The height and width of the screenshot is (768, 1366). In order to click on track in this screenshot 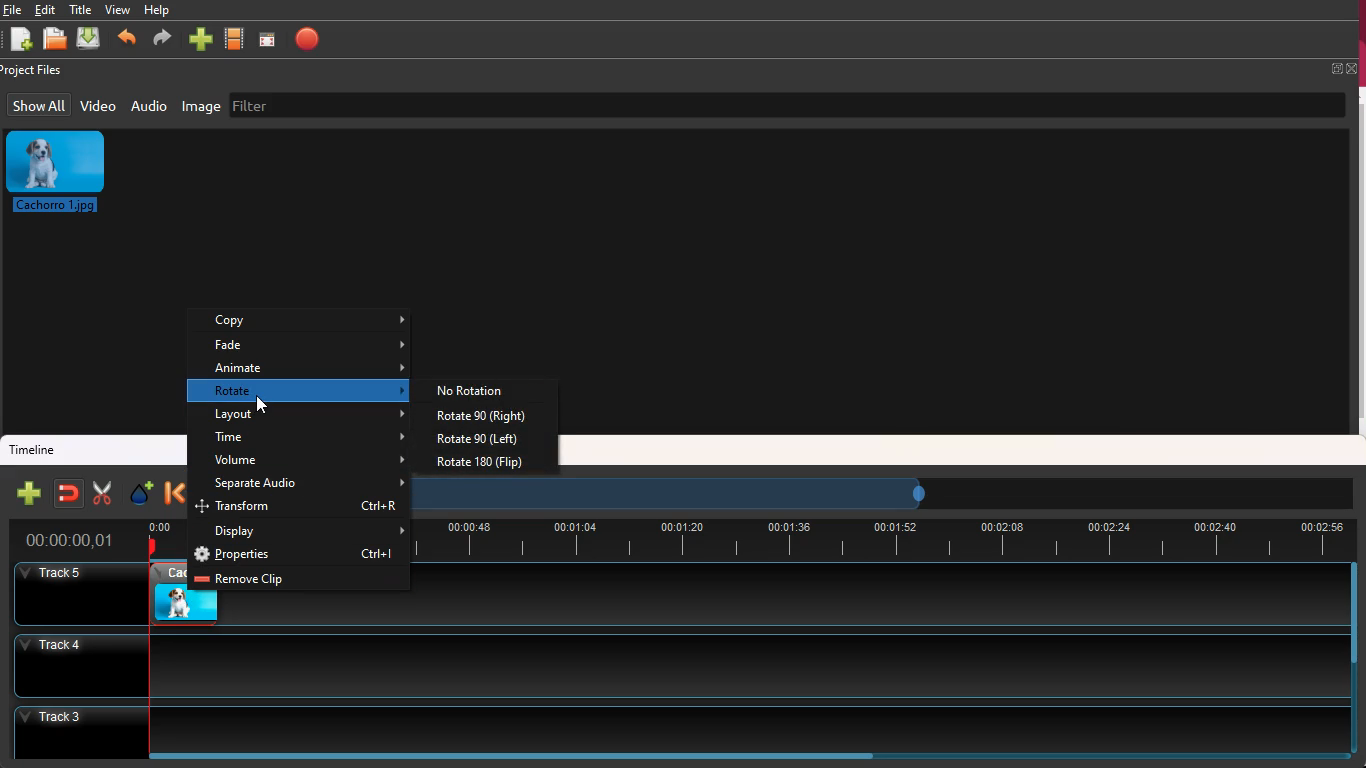, I will do `click(668, 722)`.